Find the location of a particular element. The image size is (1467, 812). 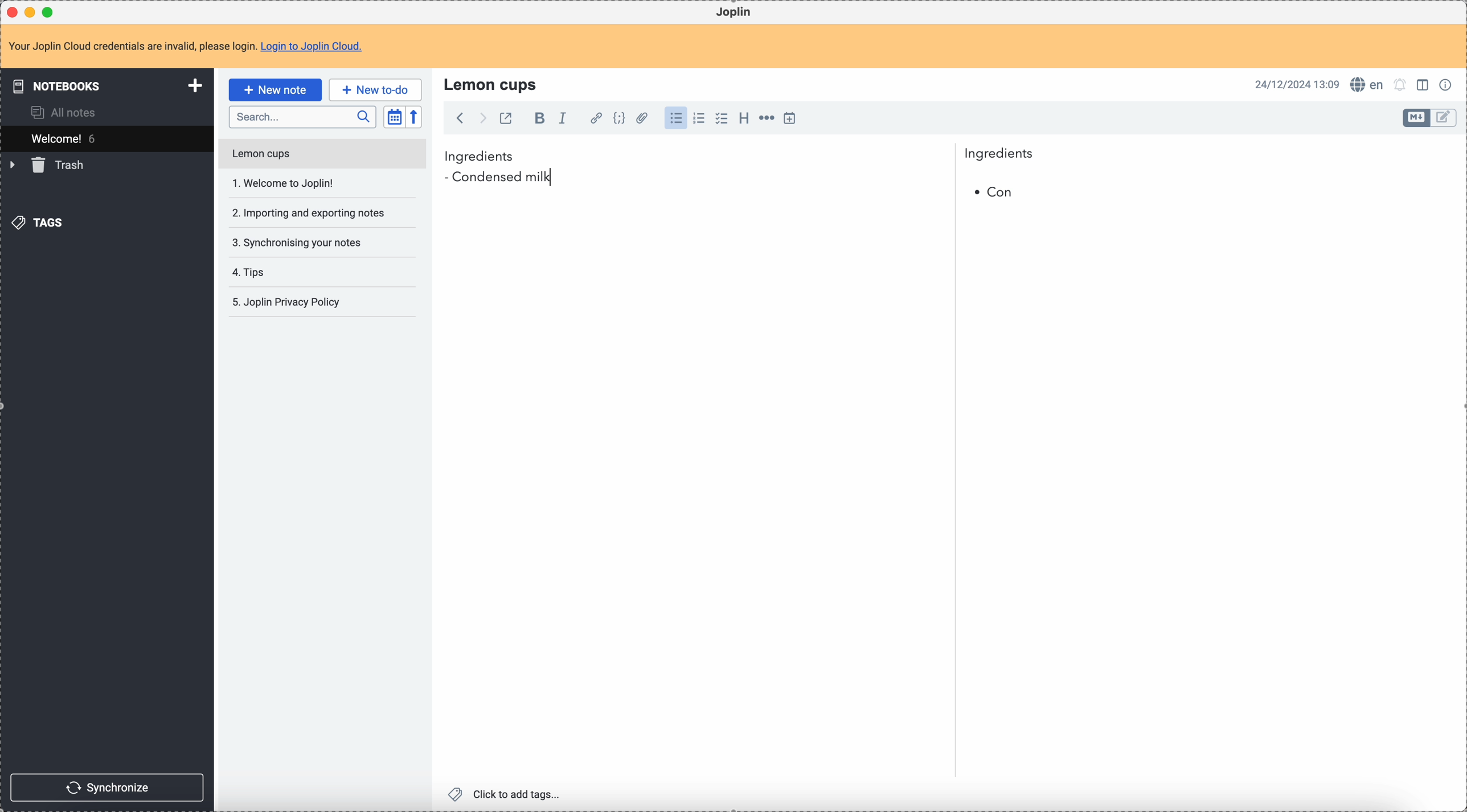

importing and exporting your notes is located at coordinates (310, 213).